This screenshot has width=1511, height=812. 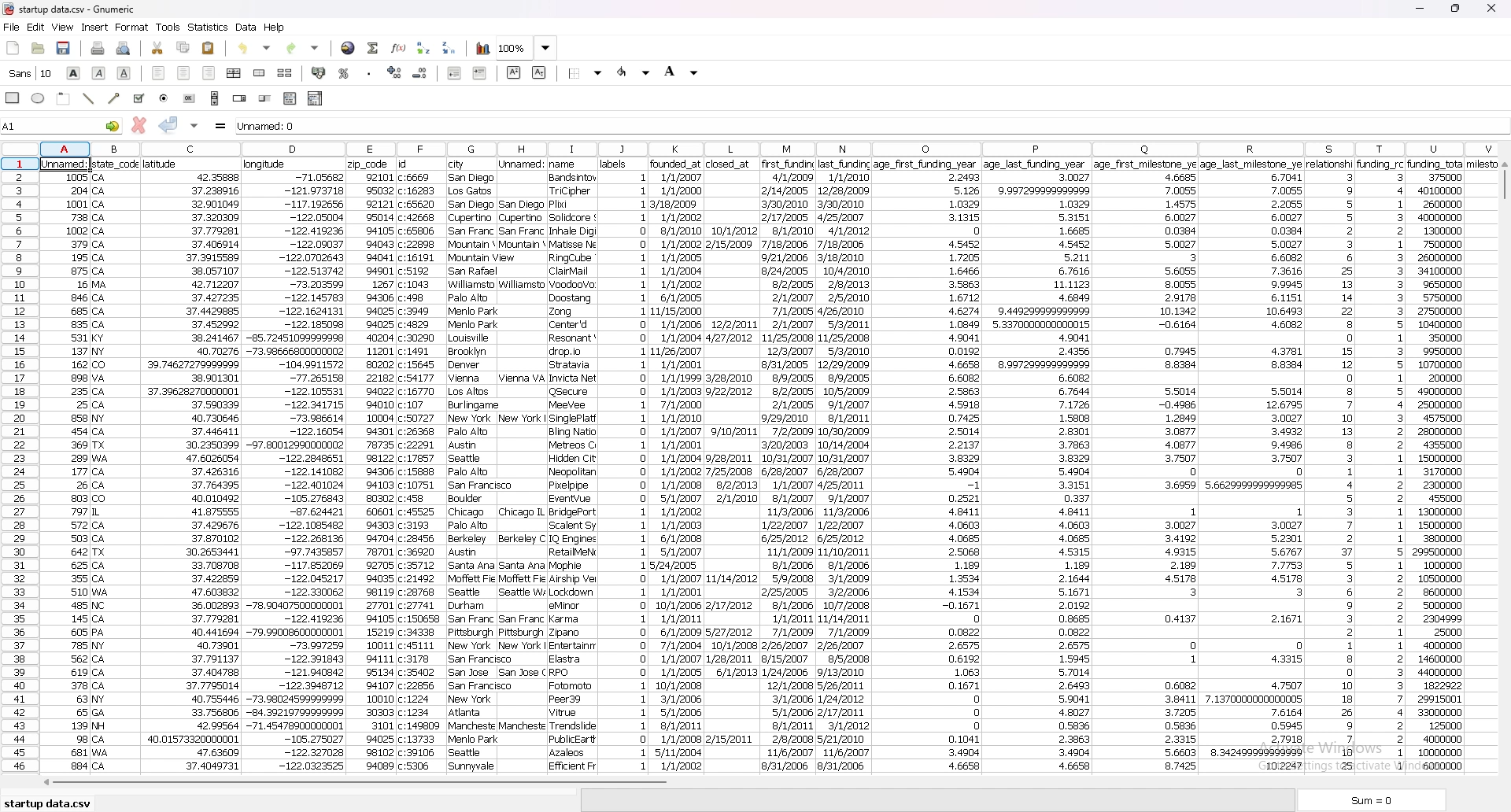 I want to click on data, so click(x=788, y=467).